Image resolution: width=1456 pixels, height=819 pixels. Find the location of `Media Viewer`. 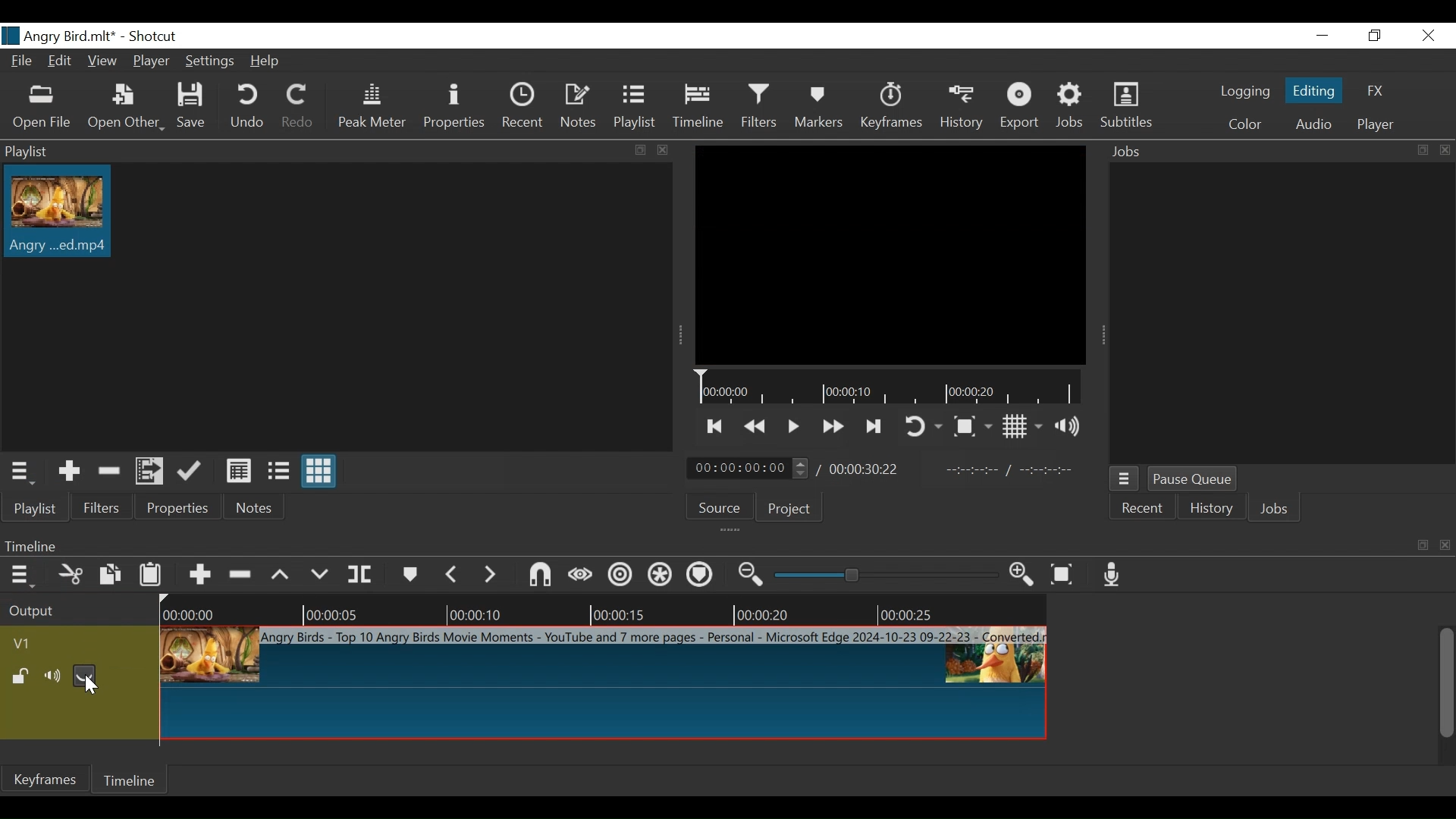

Media Viewer is located at coordinates (890, 255).